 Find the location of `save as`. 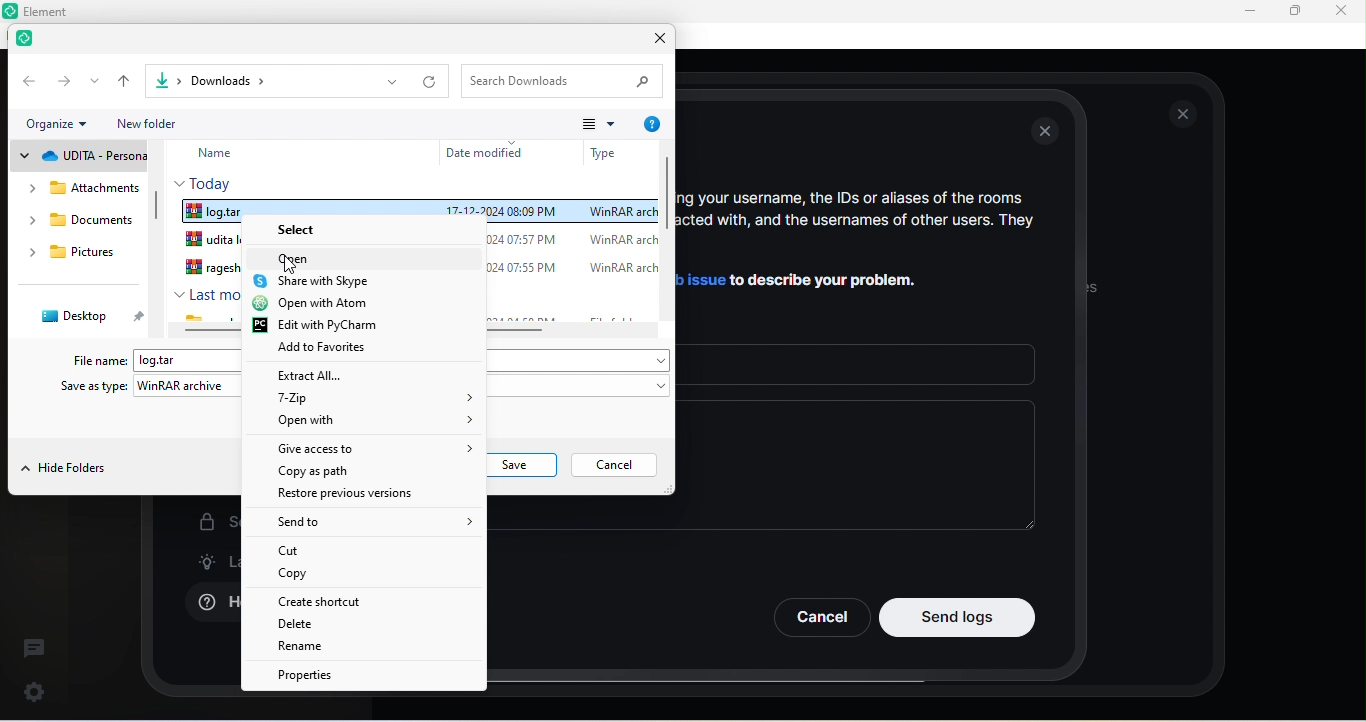

save as is located at coordinates (92, 387).